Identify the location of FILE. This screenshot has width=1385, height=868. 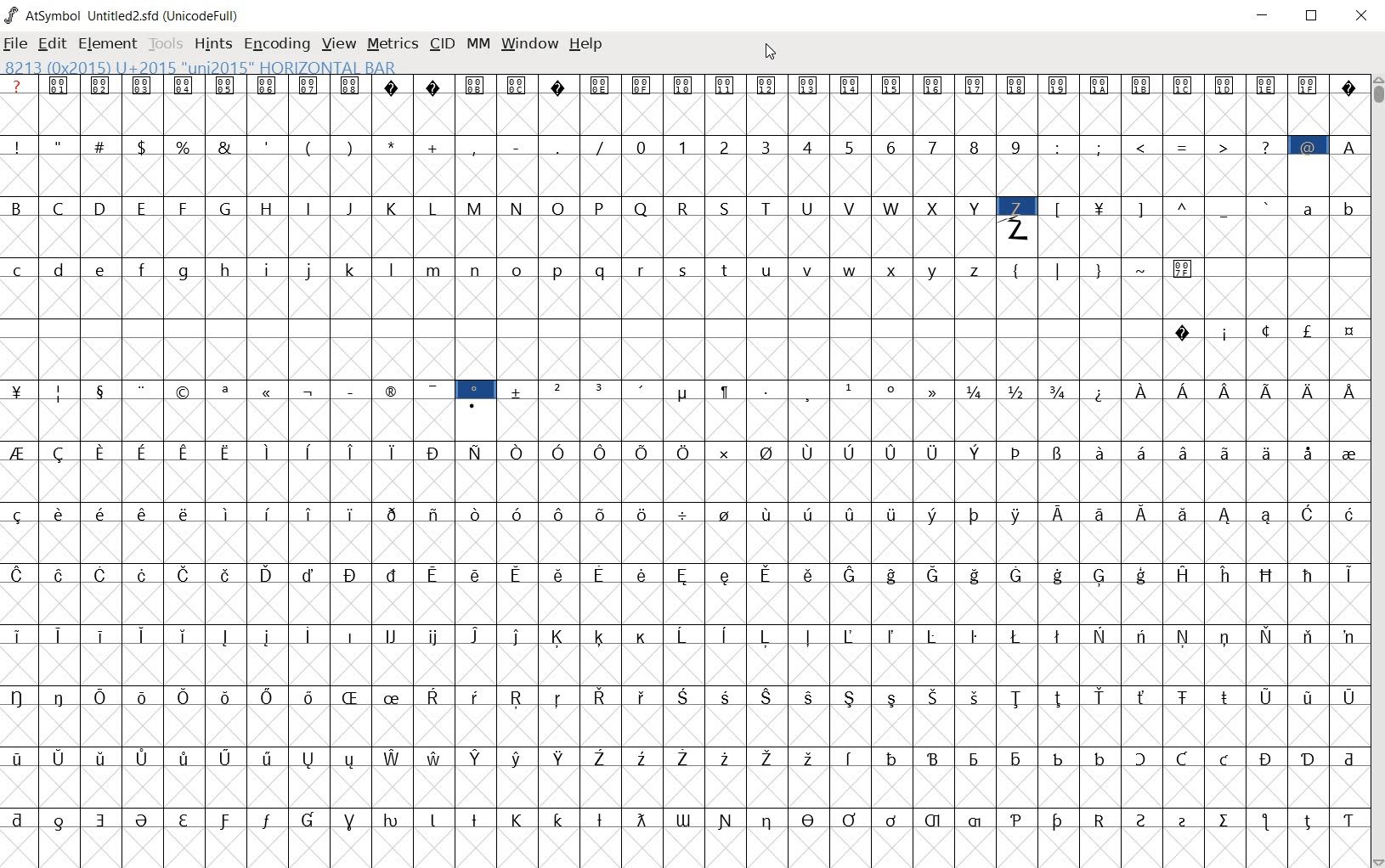
(18, 42).